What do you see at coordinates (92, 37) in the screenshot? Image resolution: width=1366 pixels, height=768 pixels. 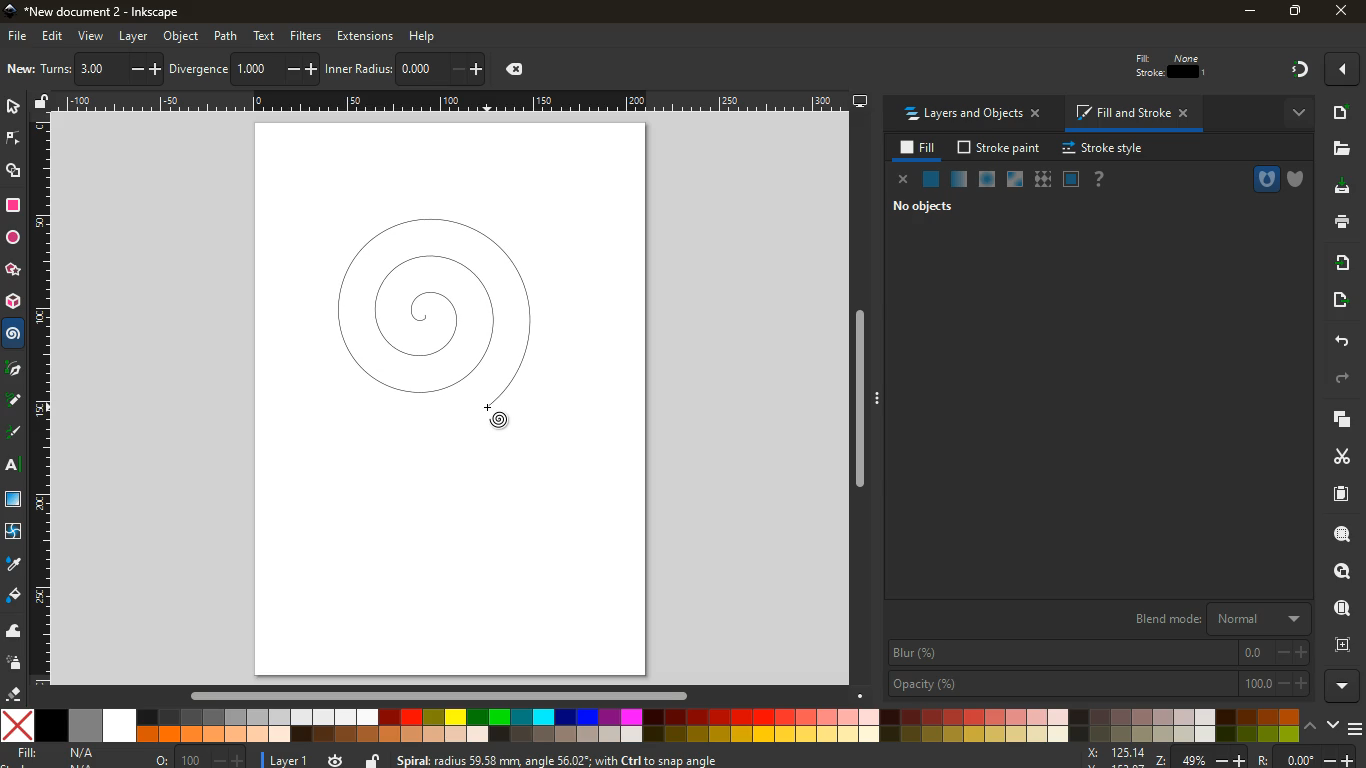 I see `view` at bounding box center [92, 37].